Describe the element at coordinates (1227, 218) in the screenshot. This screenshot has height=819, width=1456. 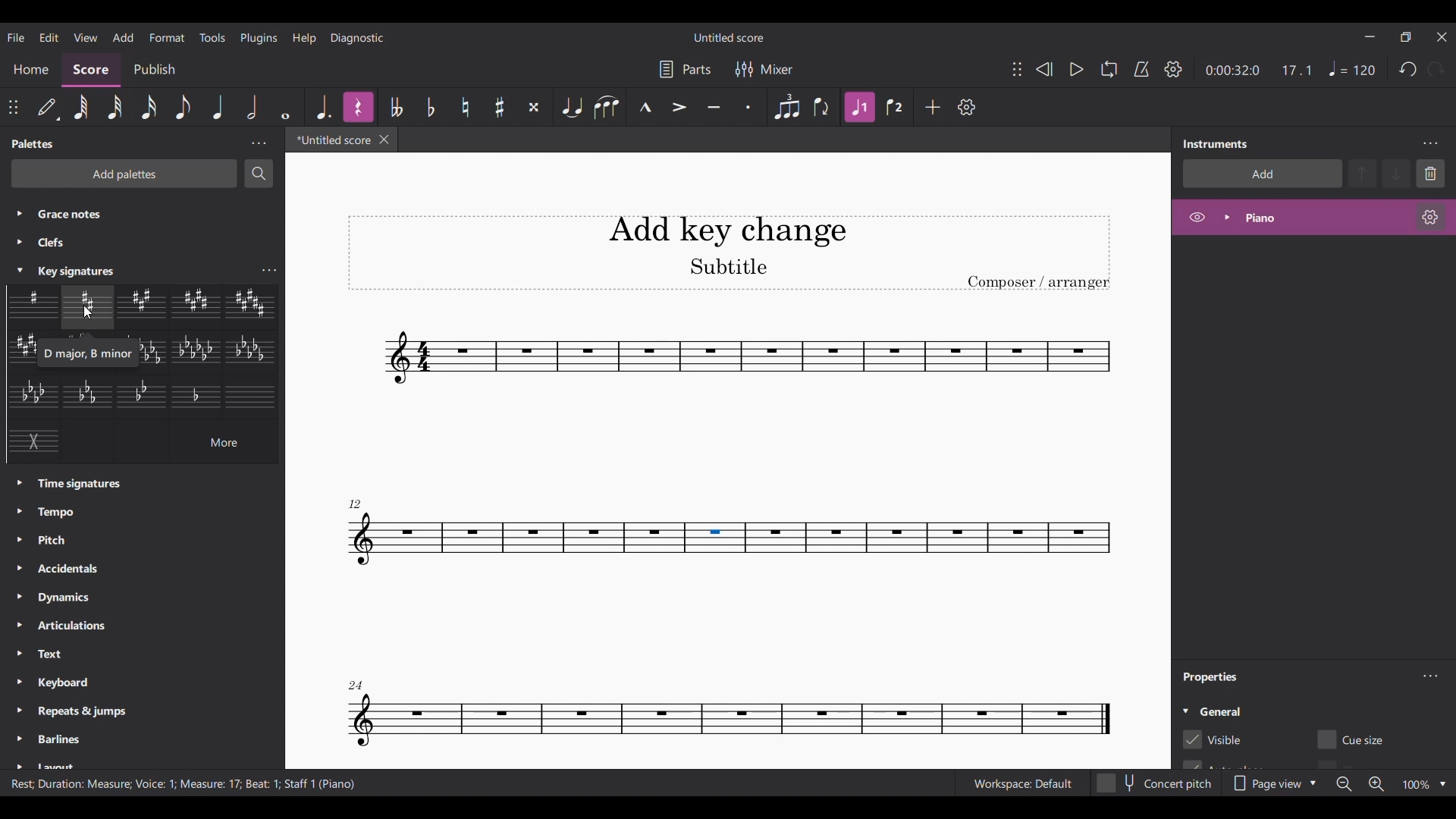
I see `Expand/Collapse Piano` at that location.